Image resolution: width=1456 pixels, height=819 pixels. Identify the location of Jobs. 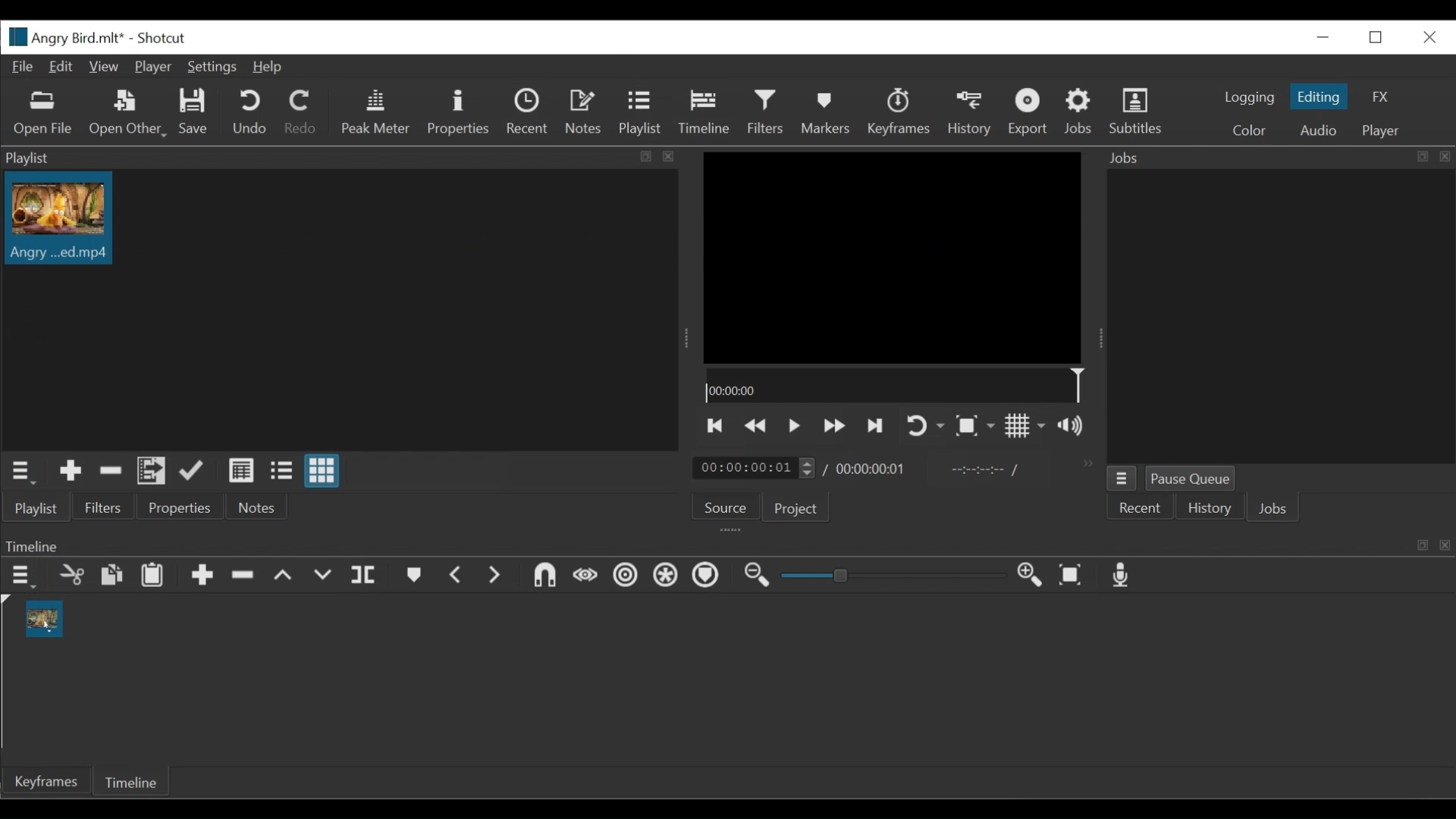
(1276, 508).